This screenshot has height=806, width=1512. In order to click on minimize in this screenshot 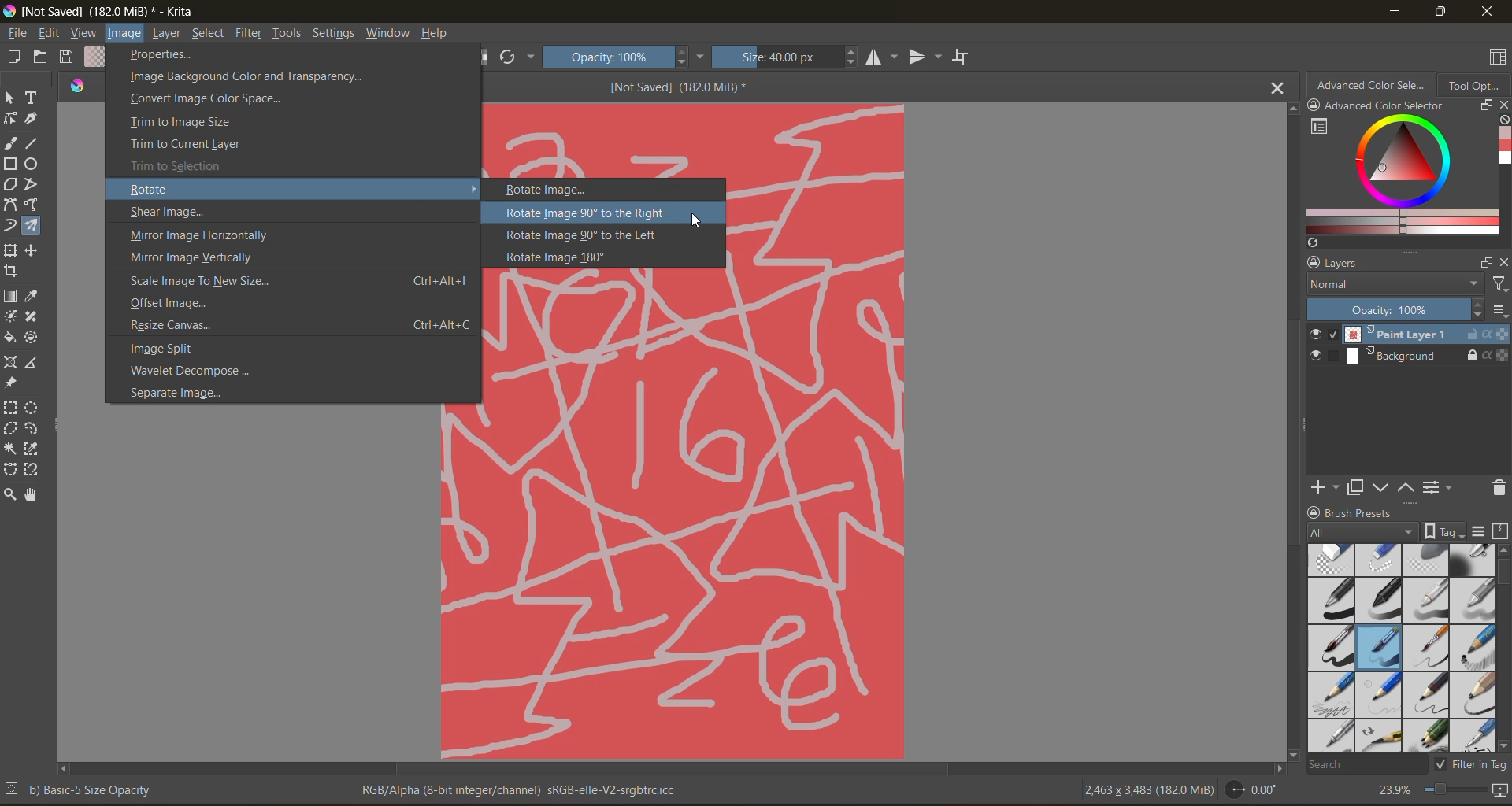, I will do `click(1395, 10)`.